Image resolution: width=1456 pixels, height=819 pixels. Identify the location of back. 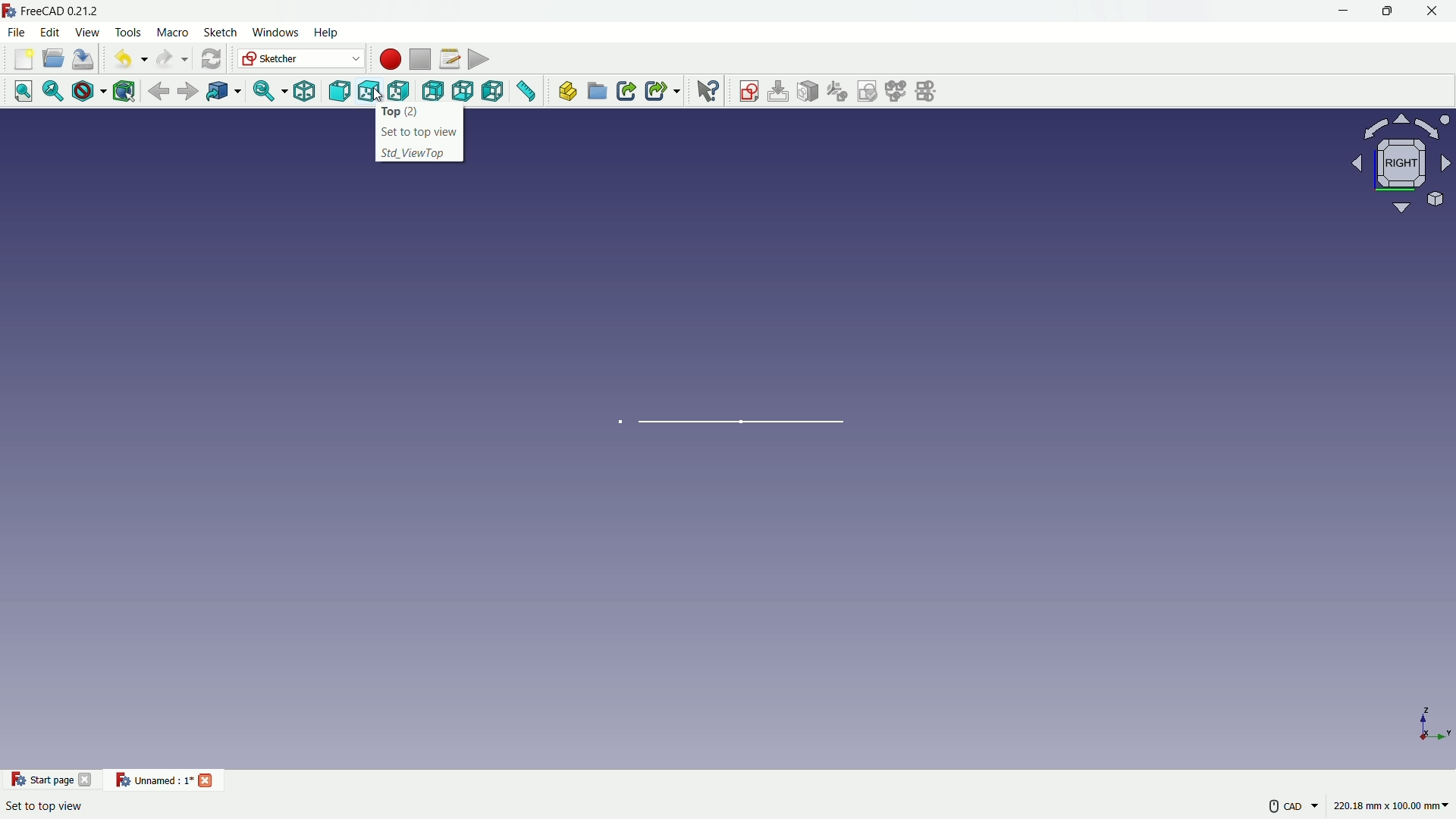
(159, 90).